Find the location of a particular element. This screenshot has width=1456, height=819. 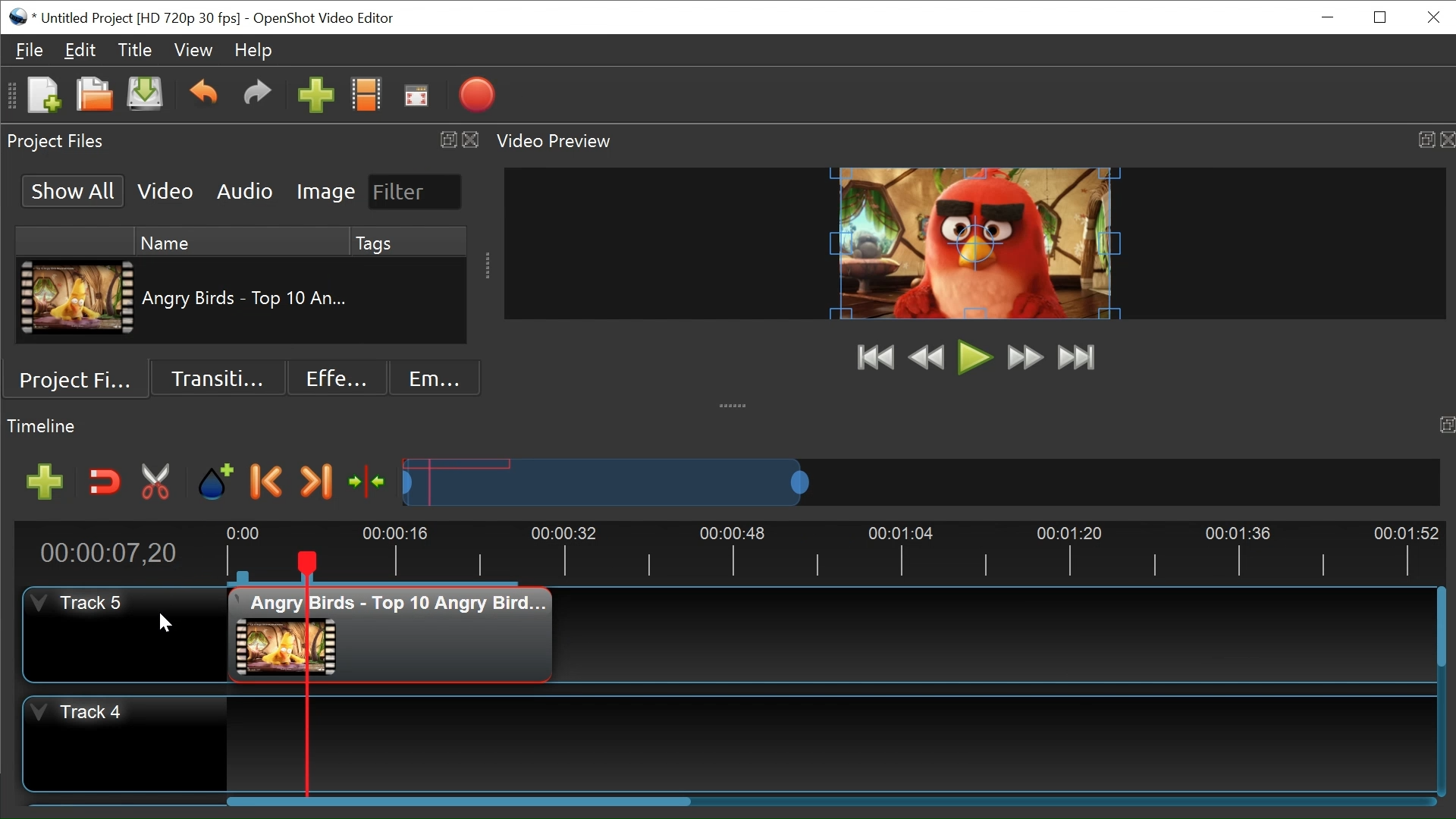

Vertical Scroll bar is located at coordinates (1441, 626).